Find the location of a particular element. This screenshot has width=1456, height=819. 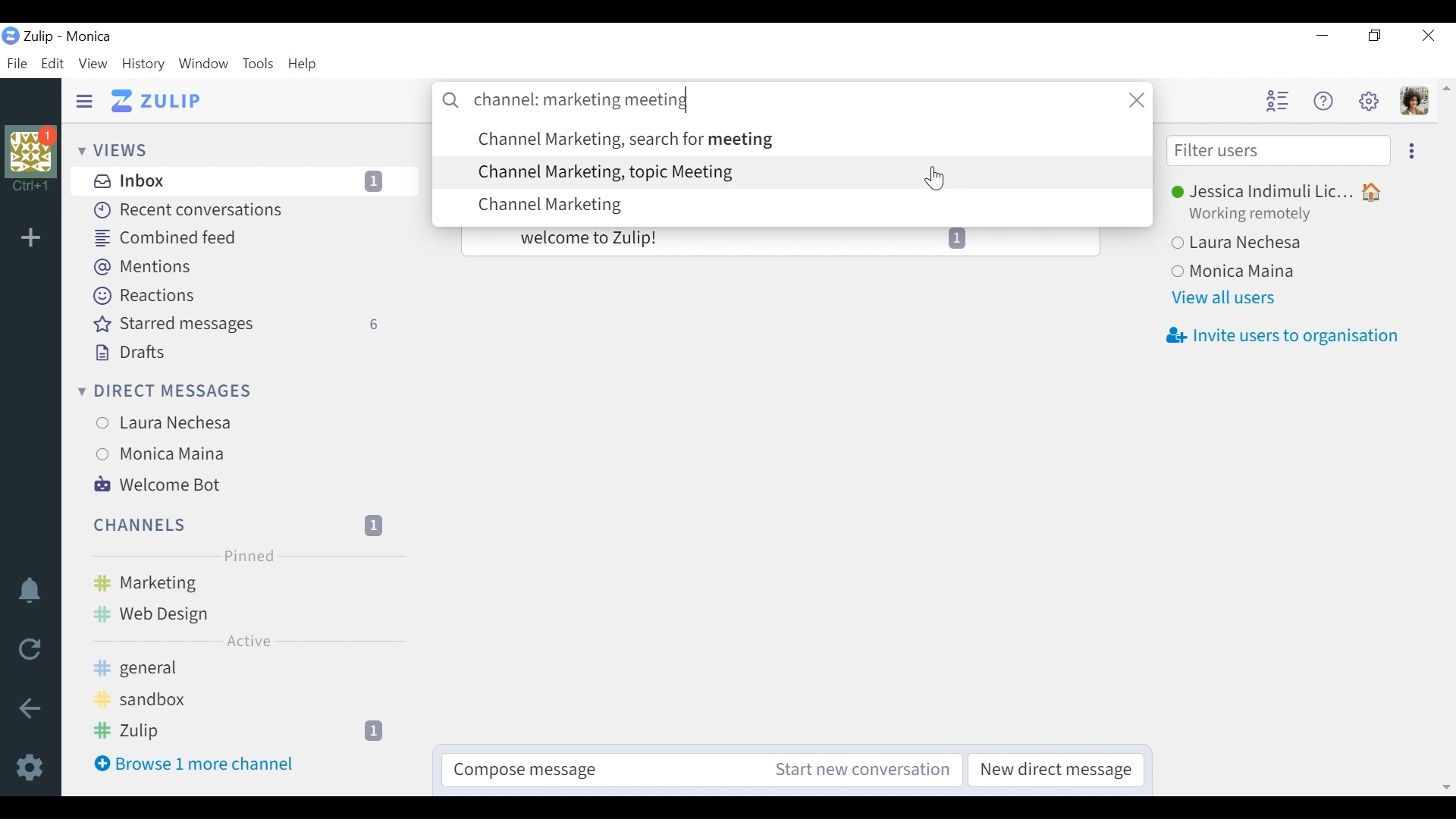

Direct messages is located at coordinates (163, 392).